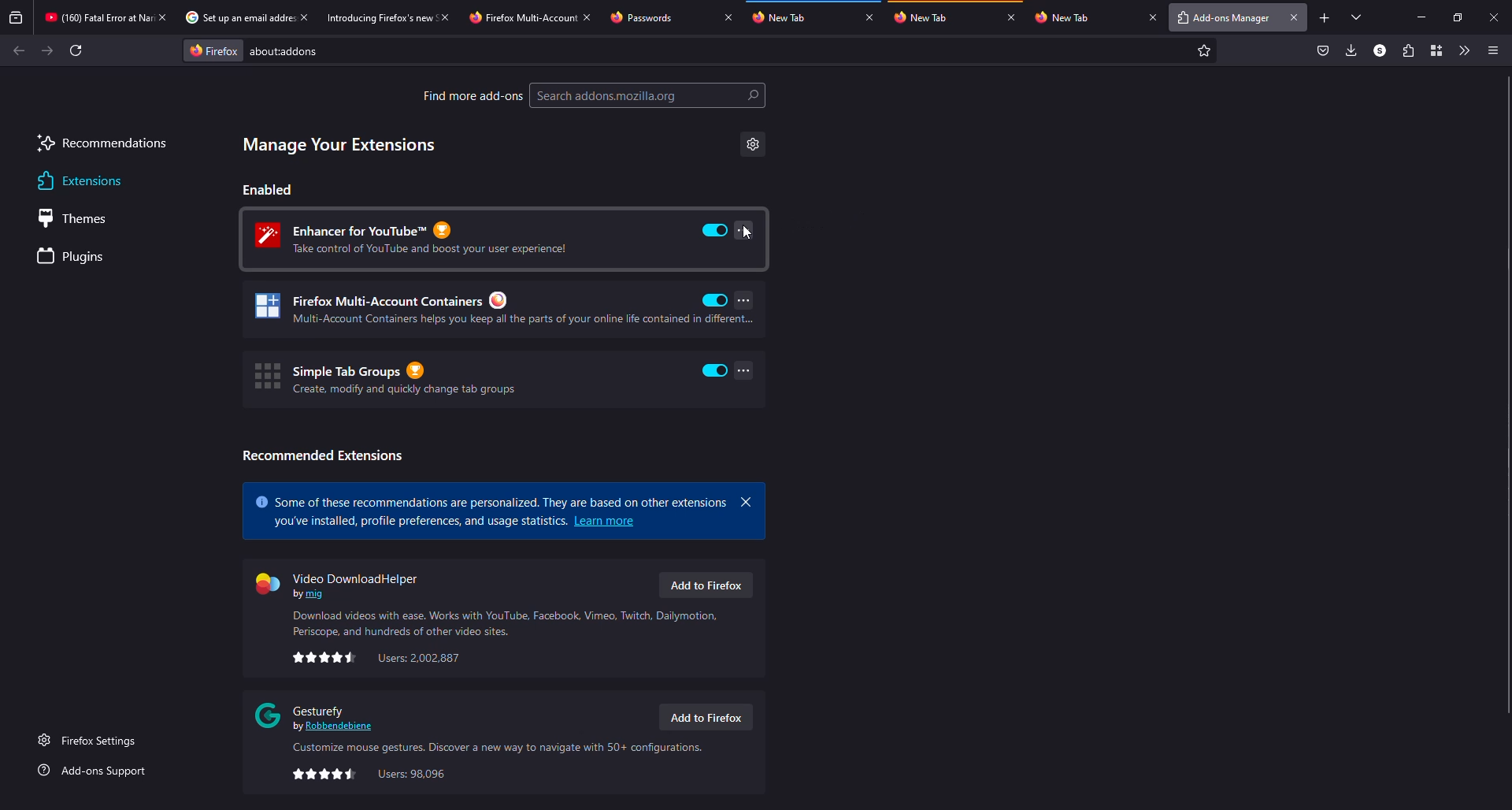 The width and height of the screenshot is (1512, 810). Describe the element at coordinates (743, 229) in the screenshot. I see `more` at that location.